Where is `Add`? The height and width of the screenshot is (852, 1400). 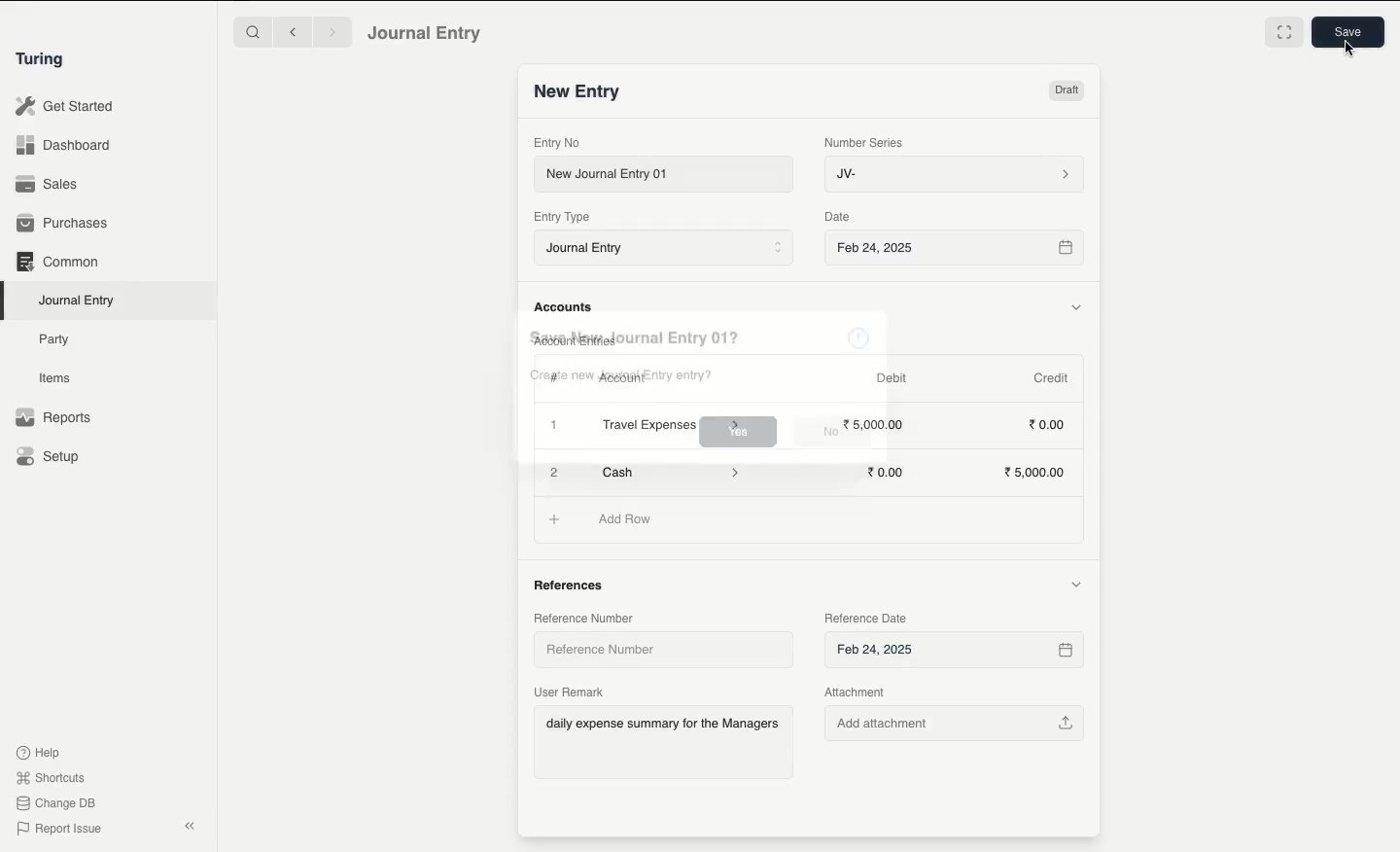 Add is located at coordinates (555, 426).